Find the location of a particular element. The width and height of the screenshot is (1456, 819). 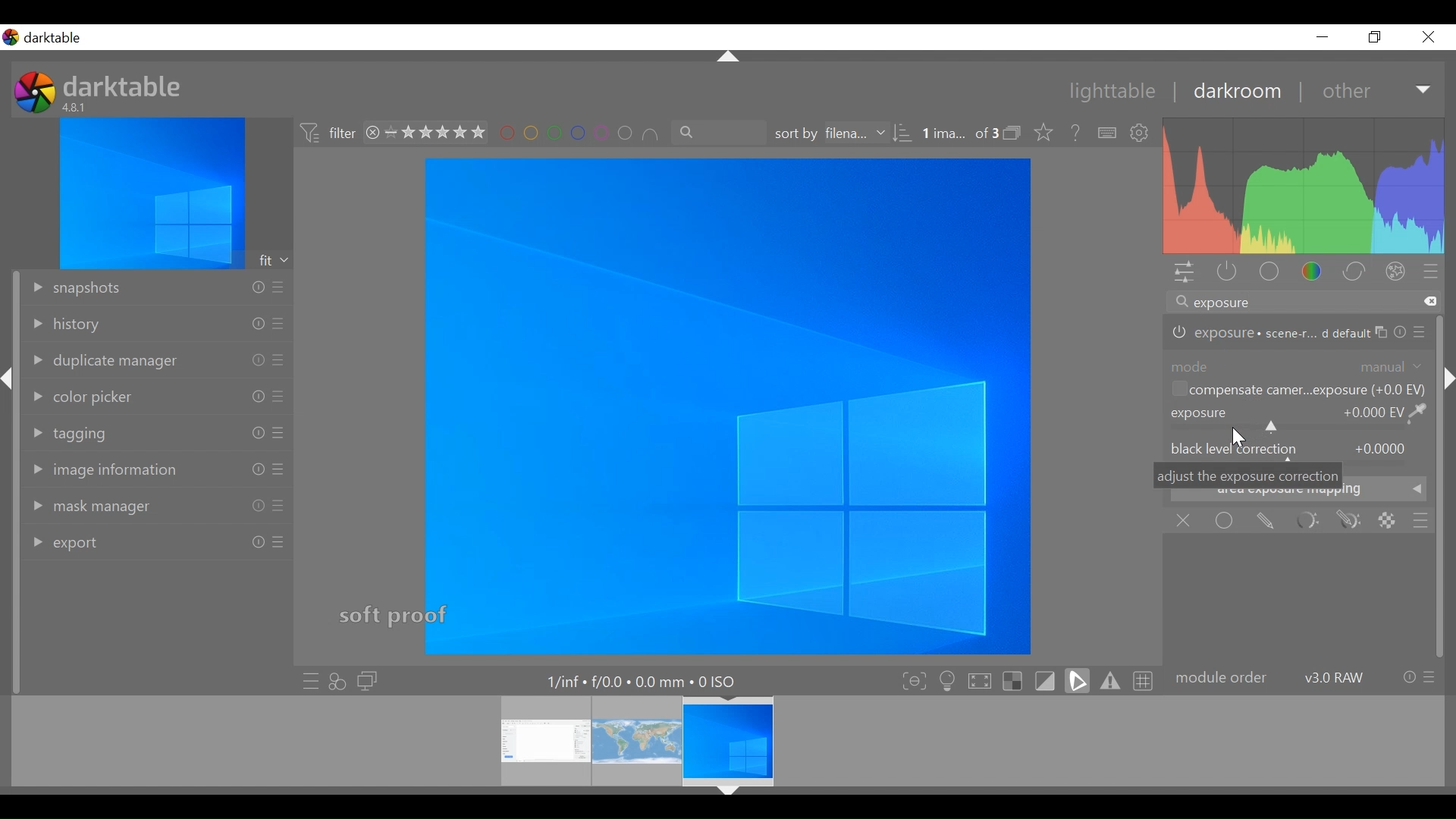

+0.0000 is located at coordinates (1381, 449).